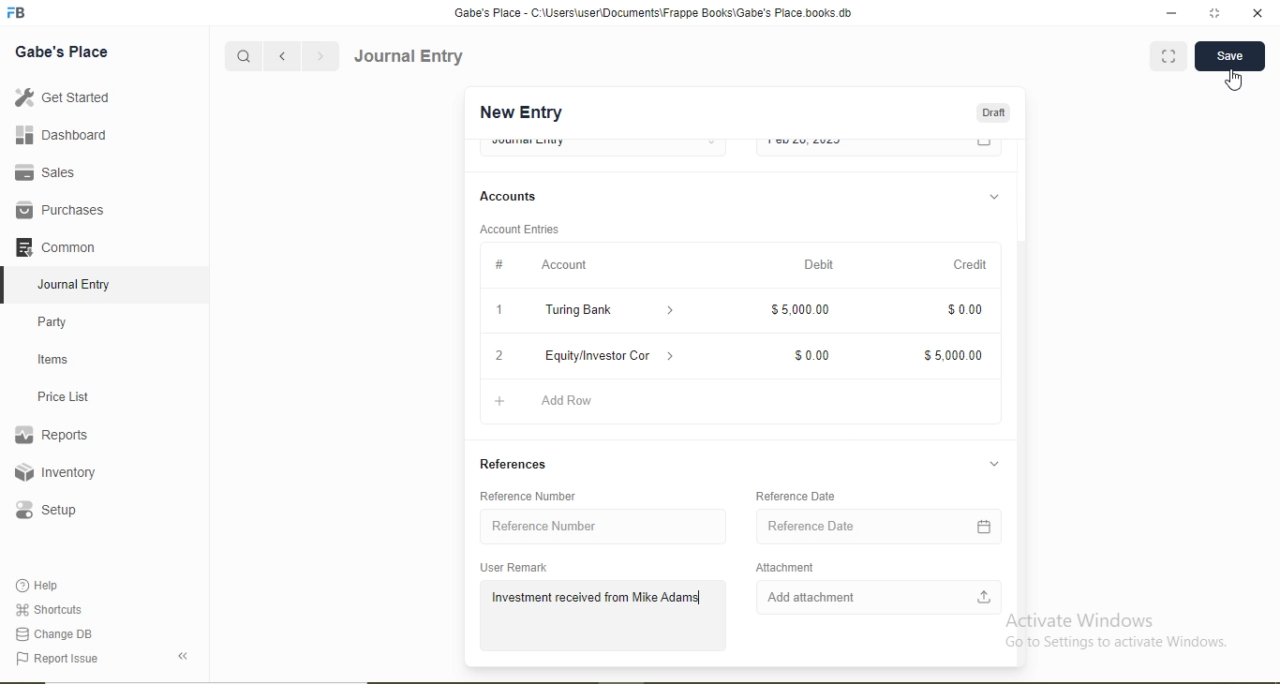  Describe the element at coordinates (514, 464) in the screenshot. I see `References` at that location.